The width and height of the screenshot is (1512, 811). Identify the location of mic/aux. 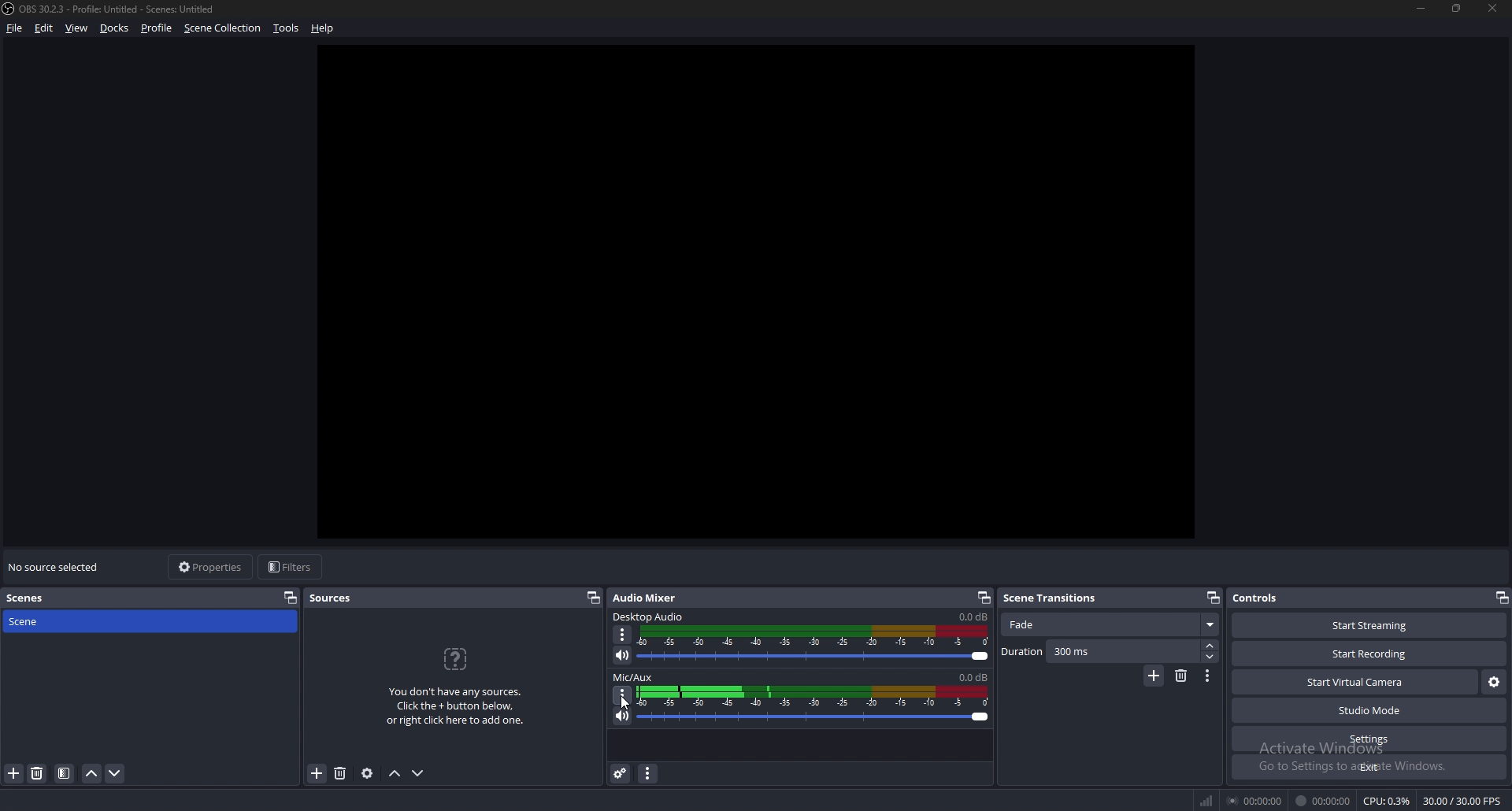
(635, 677).